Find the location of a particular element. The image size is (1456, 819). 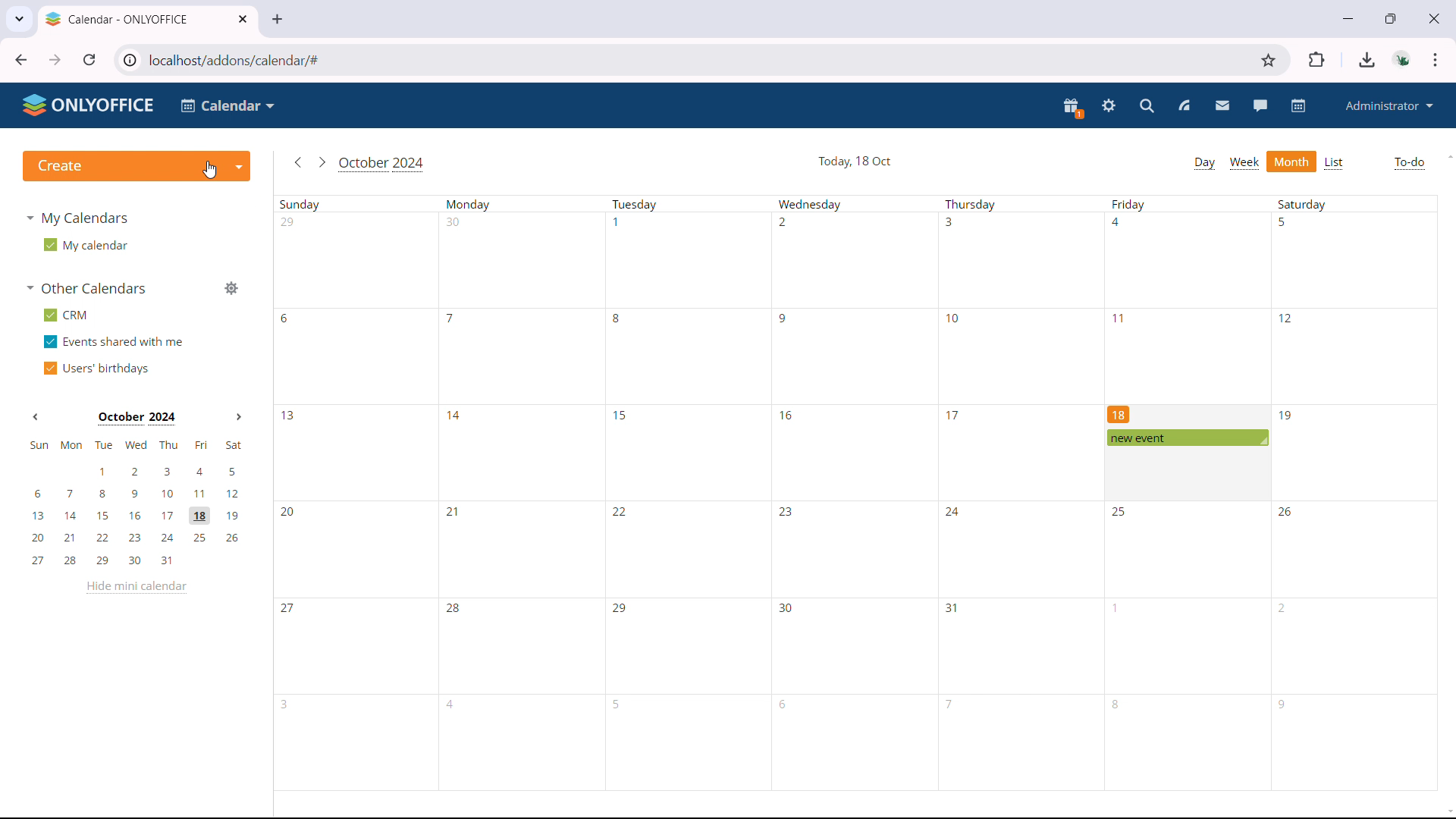

19 is located at coordinates (1287, 416).